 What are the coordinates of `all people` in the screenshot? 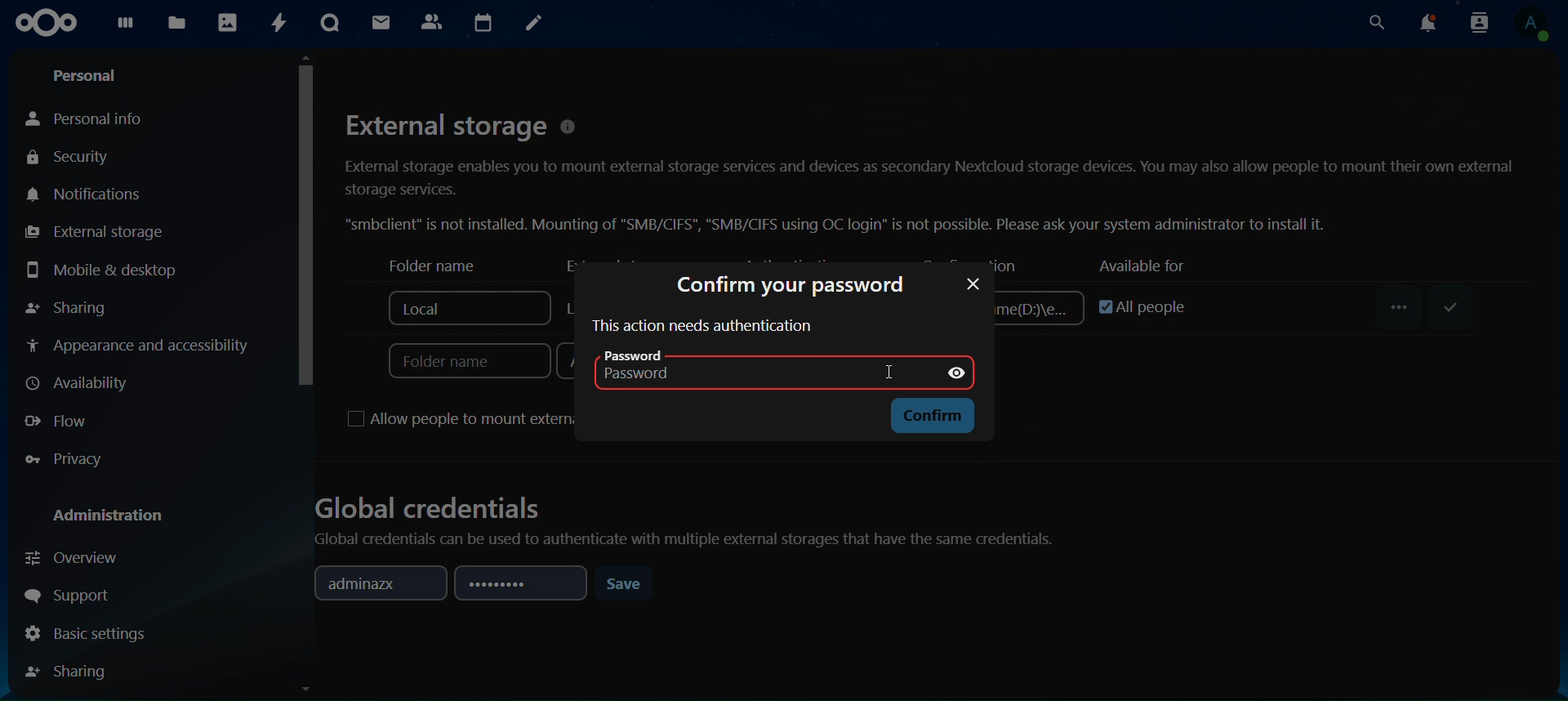 It's located at (1134, 303).